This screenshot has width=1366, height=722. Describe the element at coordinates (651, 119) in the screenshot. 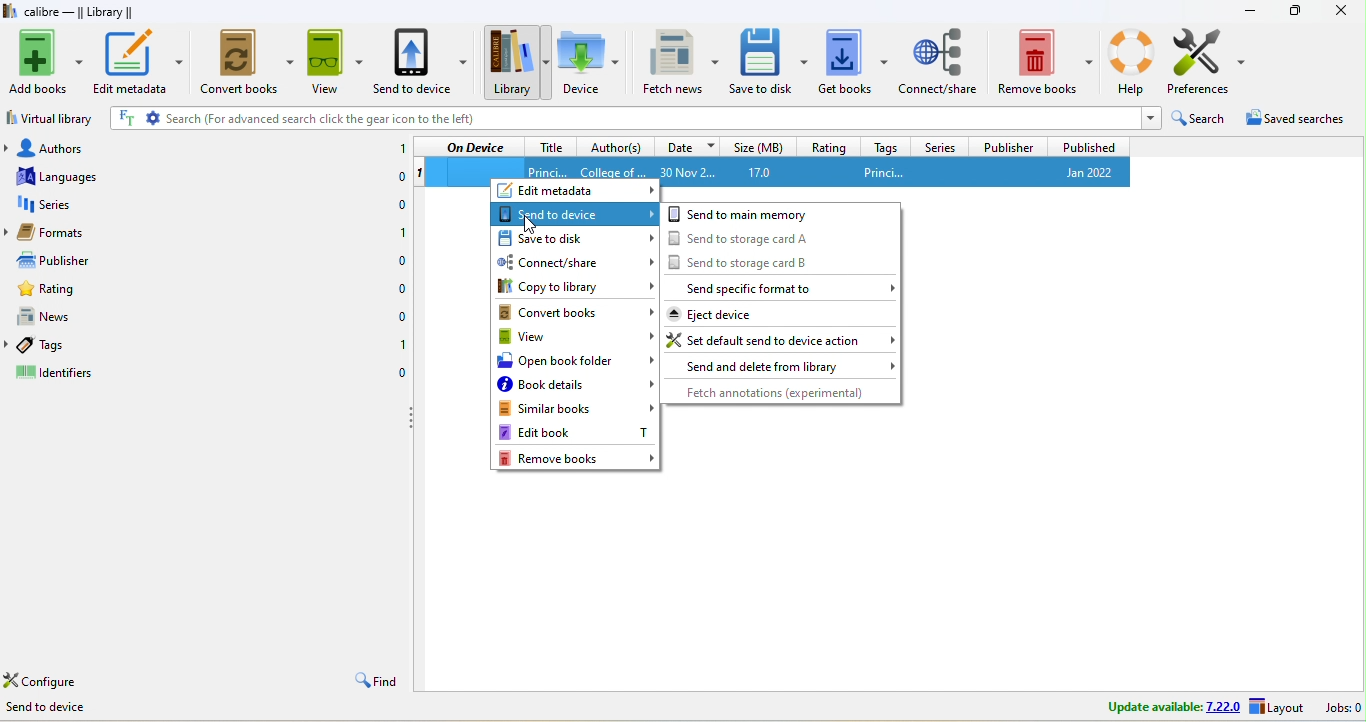

I see `search (for advanced search click the gear icon to the left)` at that location.